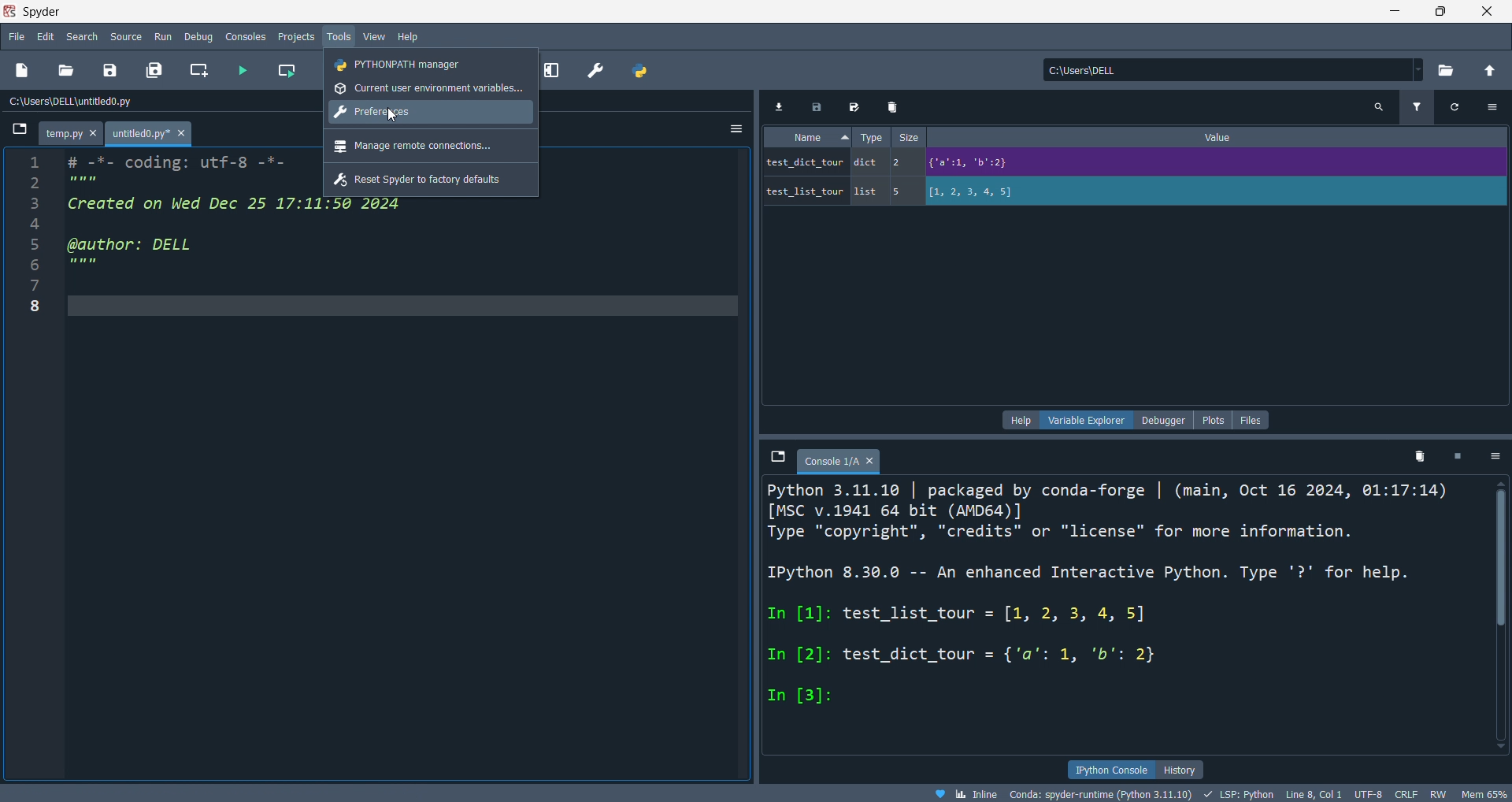 Image resolution: width=1512 pixels, height=802 pixels. I want to click on variable explorer, so click(1086, 419).